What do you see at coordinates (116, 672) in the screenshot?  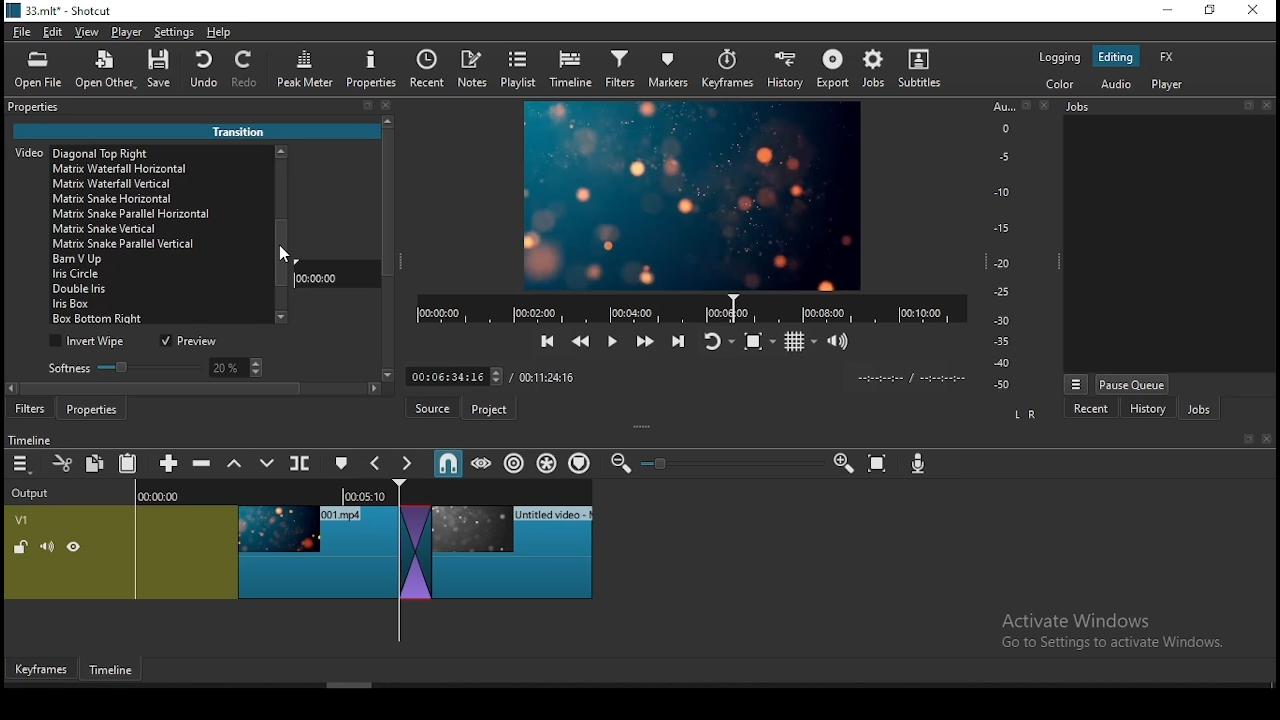 I see `Timeframe` at bounding box center [116, 672].